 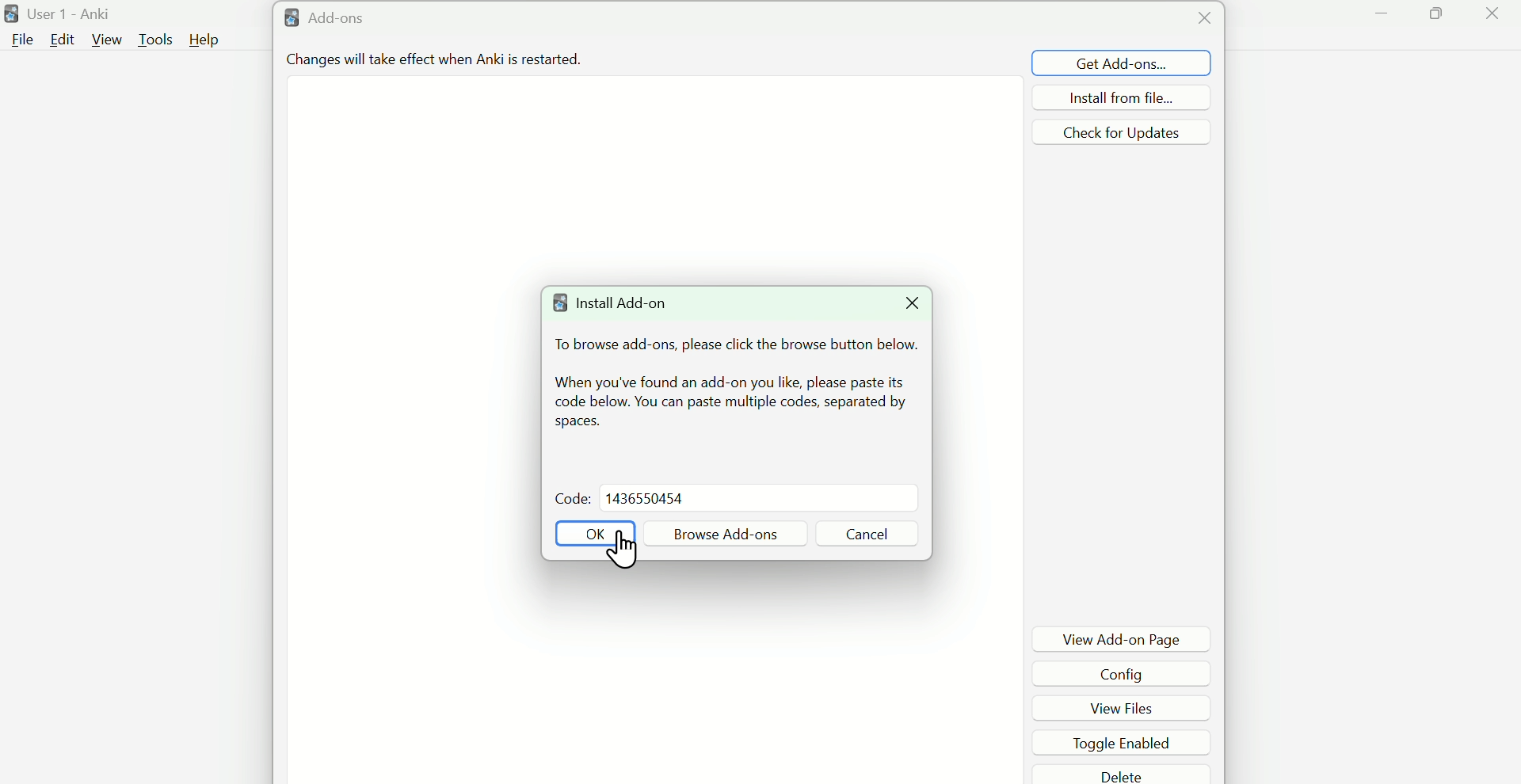 I want to click on View files, so click(x=1129, y=706).